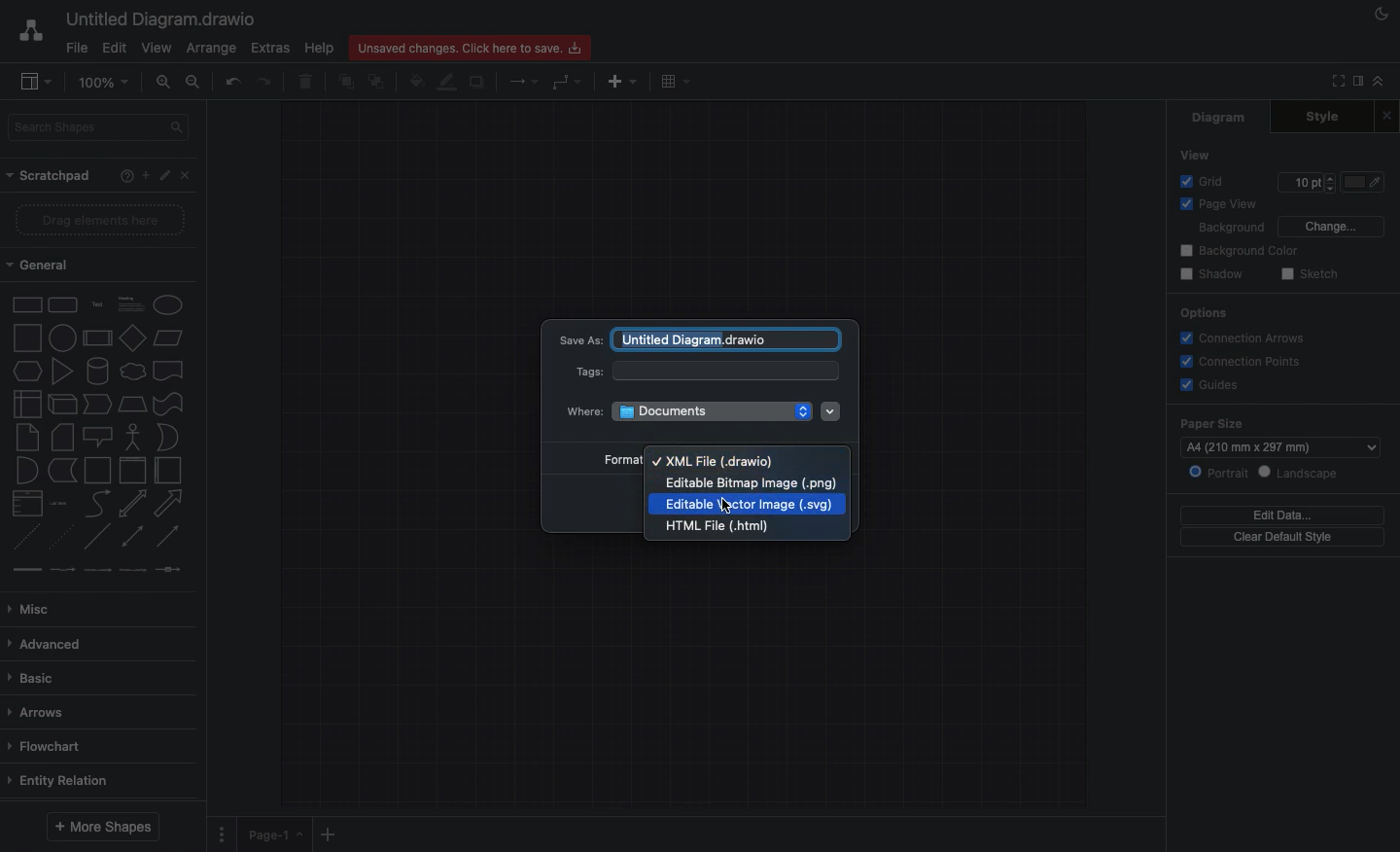 Image resolution: width=1400 pixels, height=852 pixels. I want to click on Close, so click(1387, 117).